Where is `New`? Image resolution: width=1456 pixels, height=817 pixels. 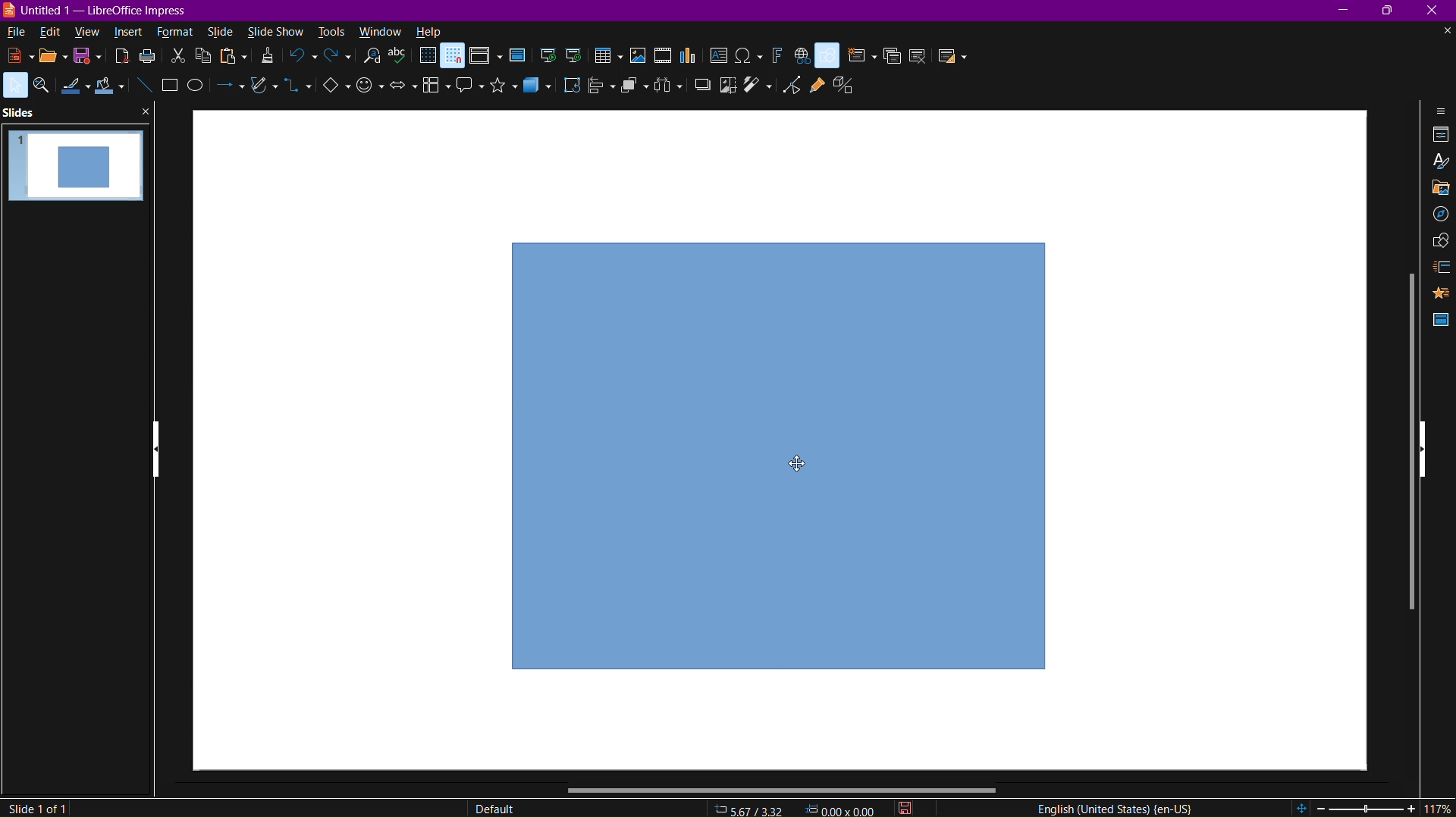 New is located at coordinates (14, 55).